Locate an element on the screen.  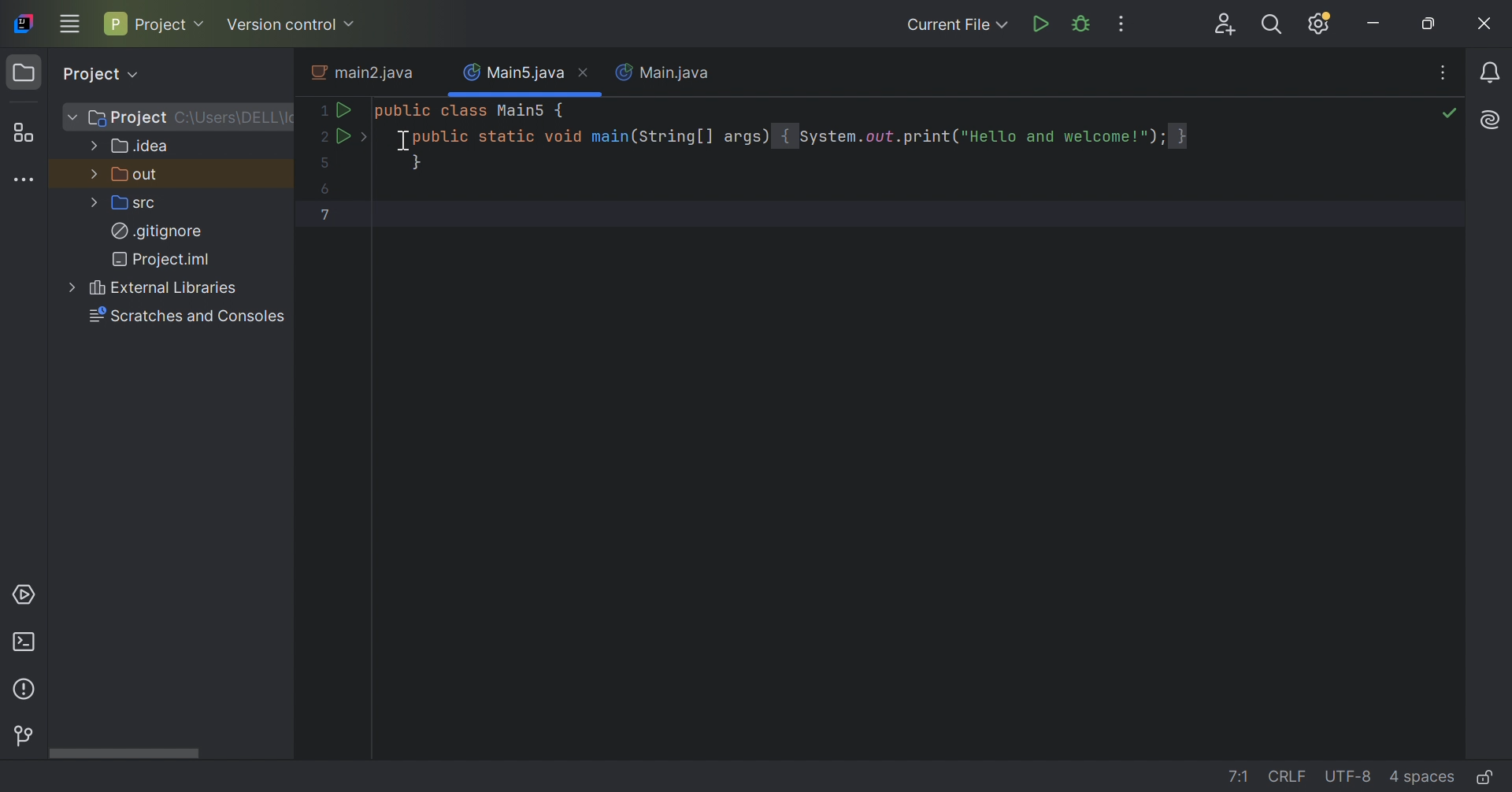
No problems found is located at coordinates (1451, 113).